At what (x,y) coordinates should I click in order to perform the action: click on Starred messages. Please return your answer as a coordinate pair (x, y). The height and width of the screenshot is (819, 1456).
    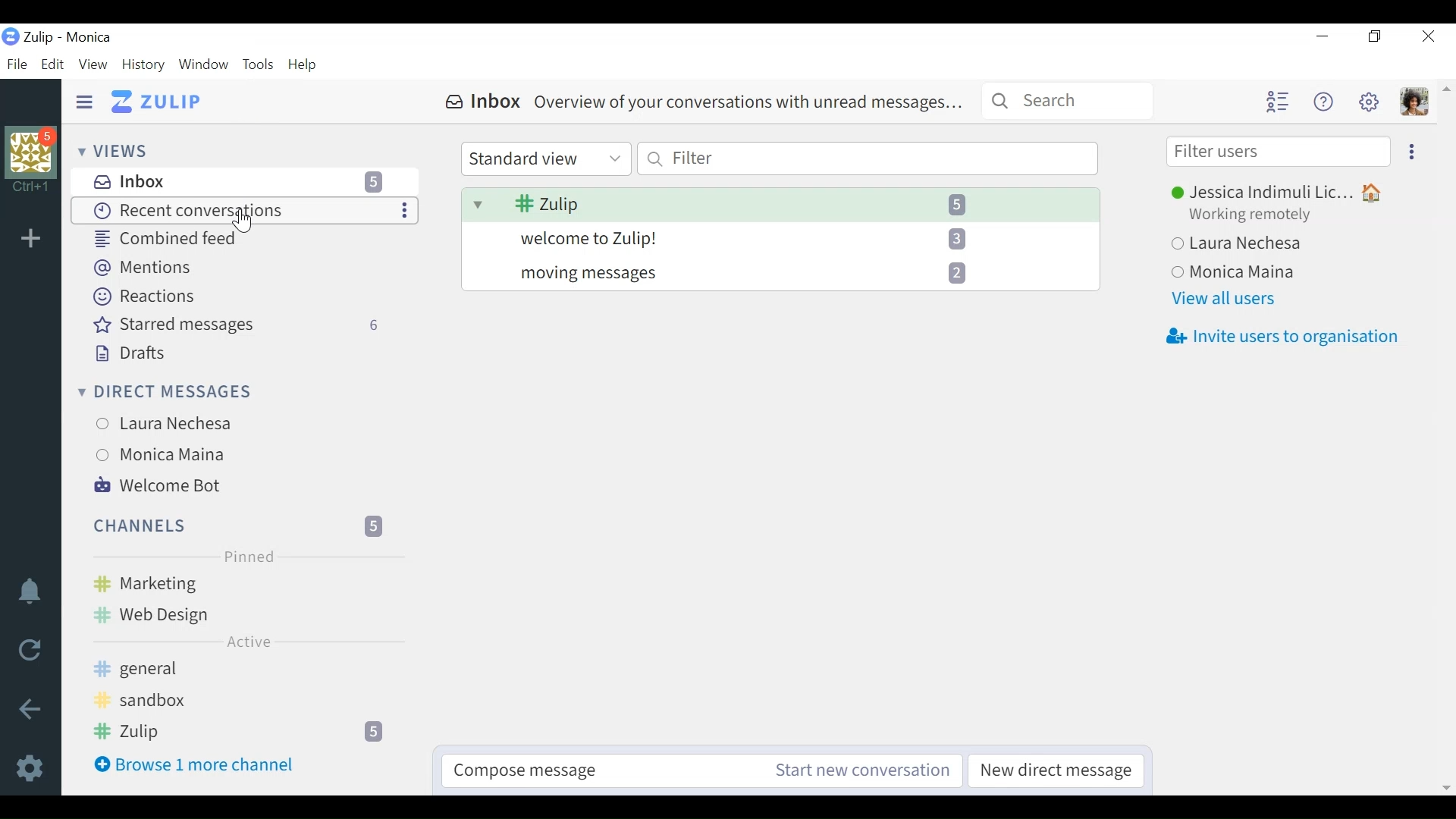
    Looking at the image, I should click on (238, 325).